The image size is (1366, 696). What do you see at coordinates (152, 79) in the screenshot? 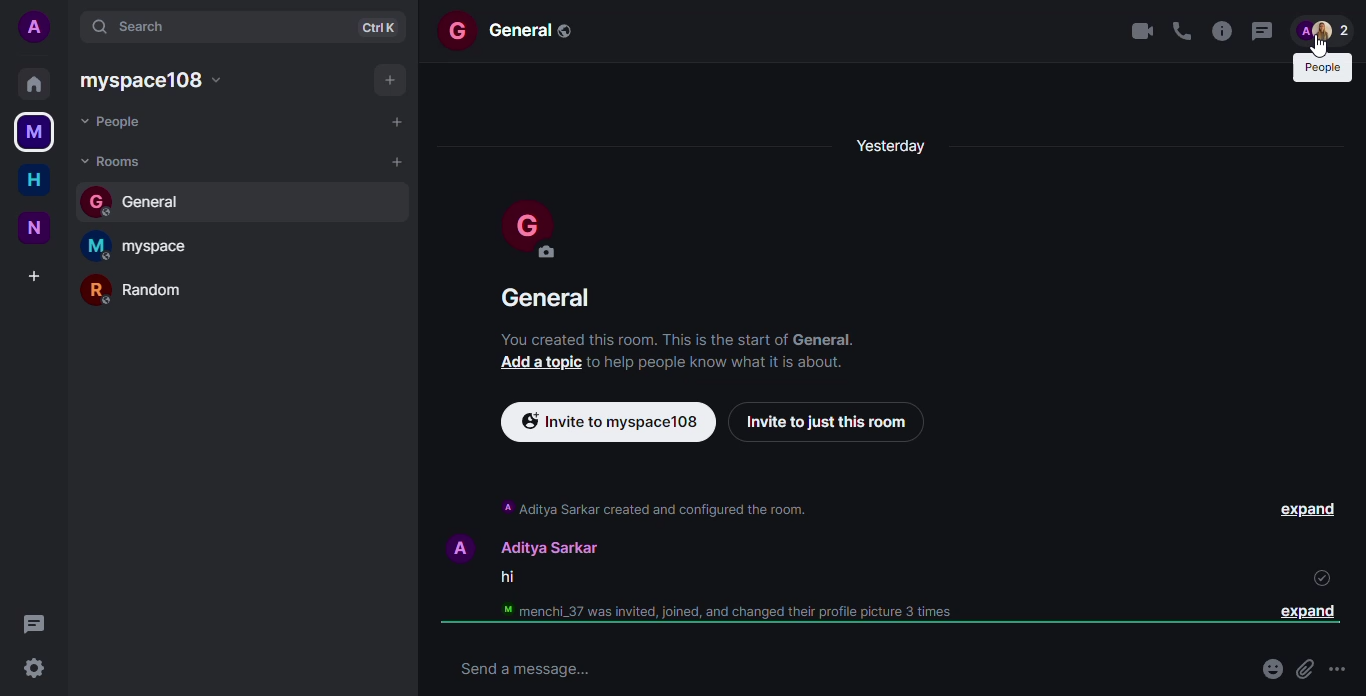
I see `myspace` at bounding box center [152, 79].